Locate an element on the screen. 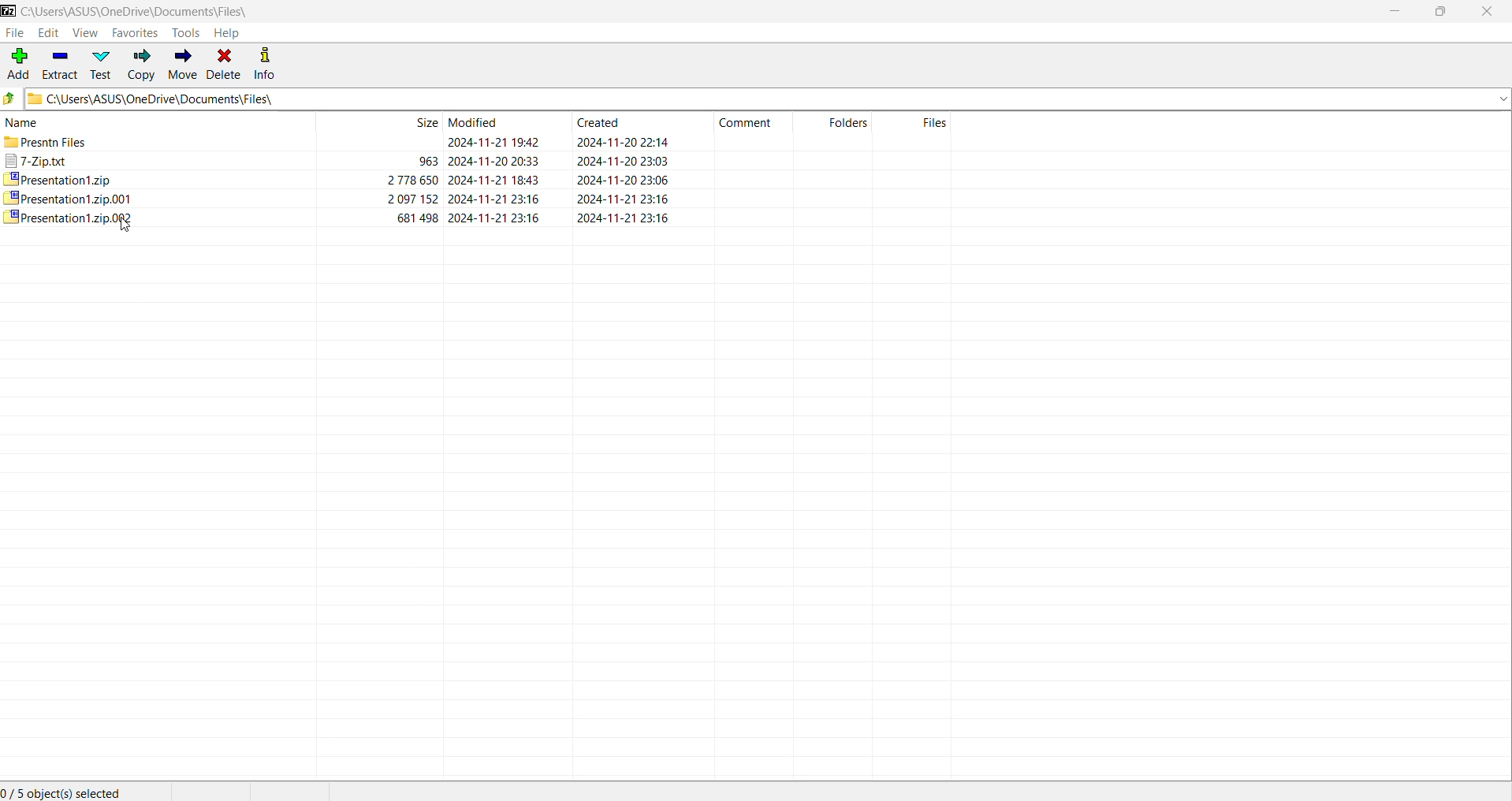  Size is located at coordinates (381, 123).